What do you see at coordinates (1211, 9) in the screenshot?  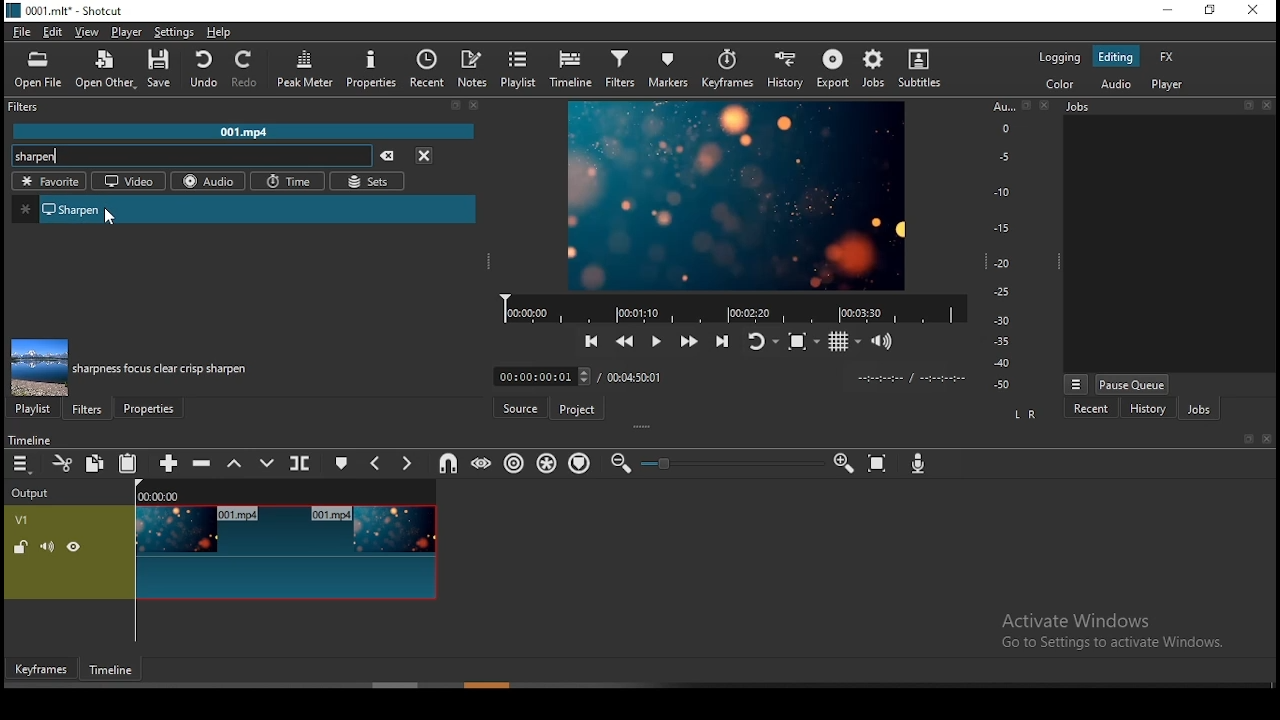 I see `restore` at bounding box center [1211, 9].